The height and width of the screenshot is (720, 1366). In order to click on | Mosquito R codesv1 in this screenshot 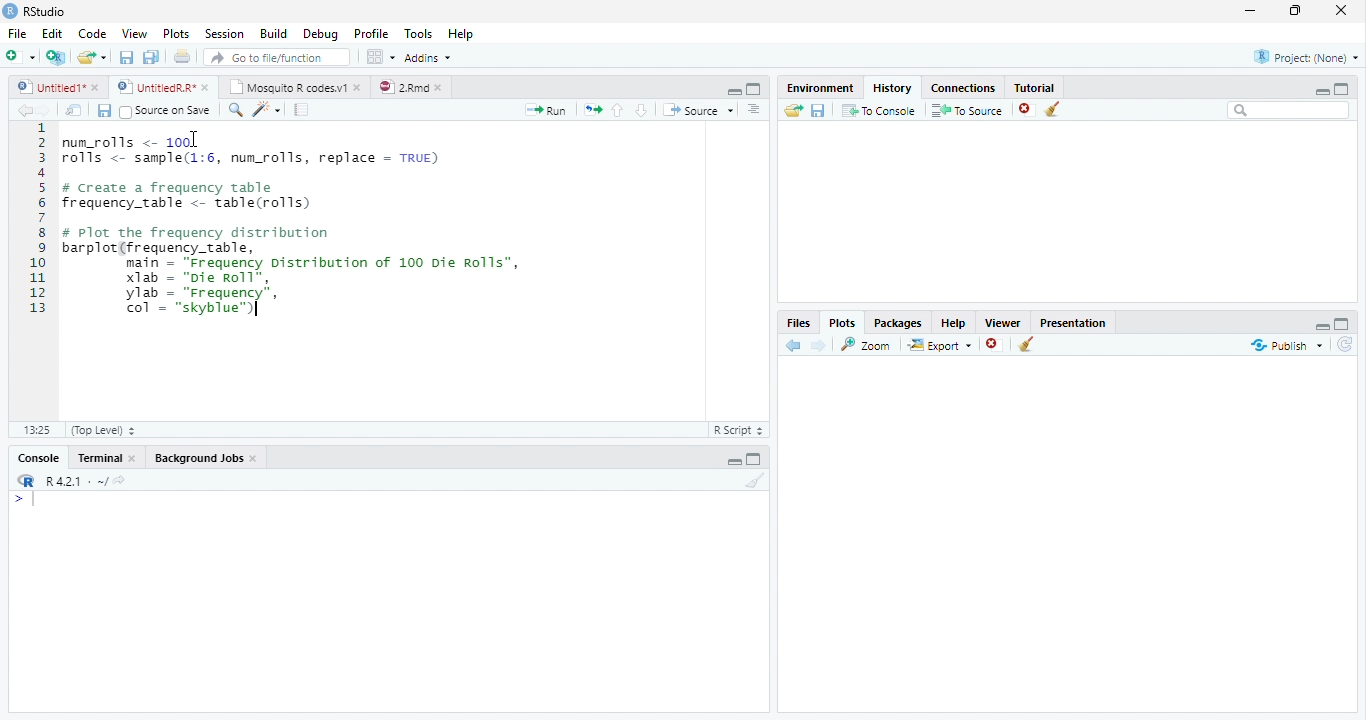, I will do `click(294, 87)`.